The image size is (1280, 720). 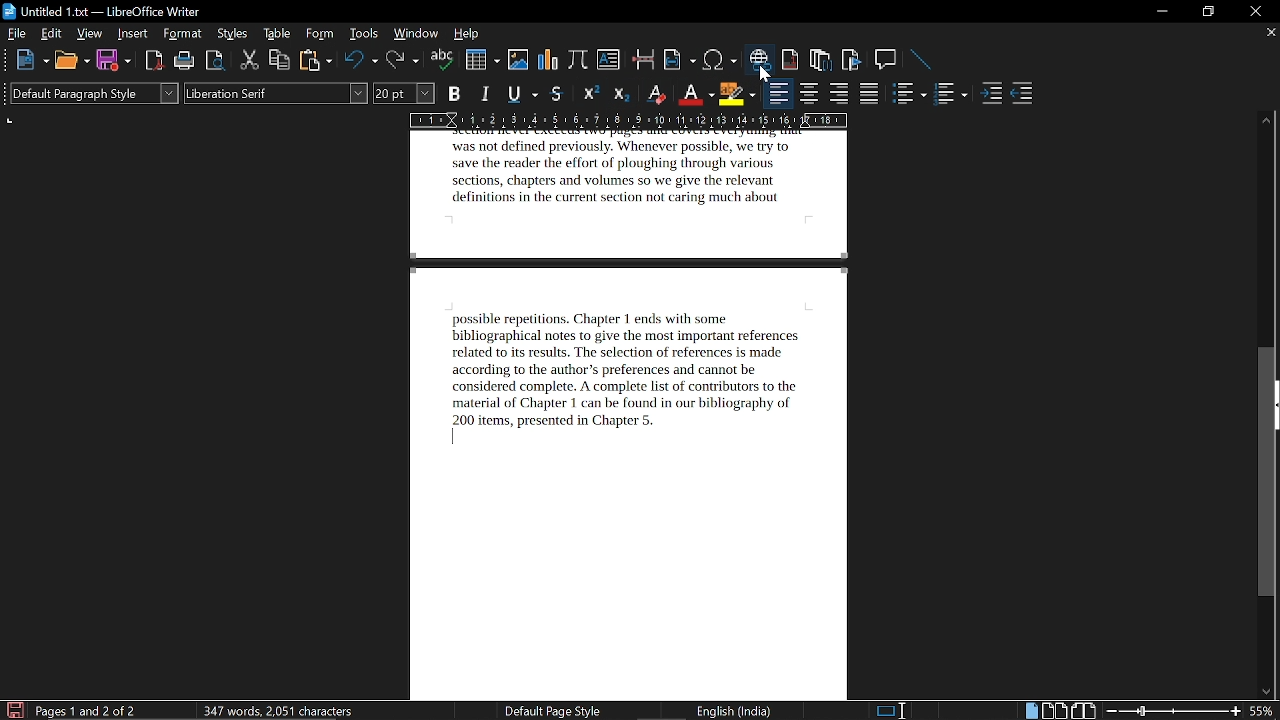 What do you see at coordinates (545, 711) in the screenshot?
I see `page style` at bounding box center [545, 711].